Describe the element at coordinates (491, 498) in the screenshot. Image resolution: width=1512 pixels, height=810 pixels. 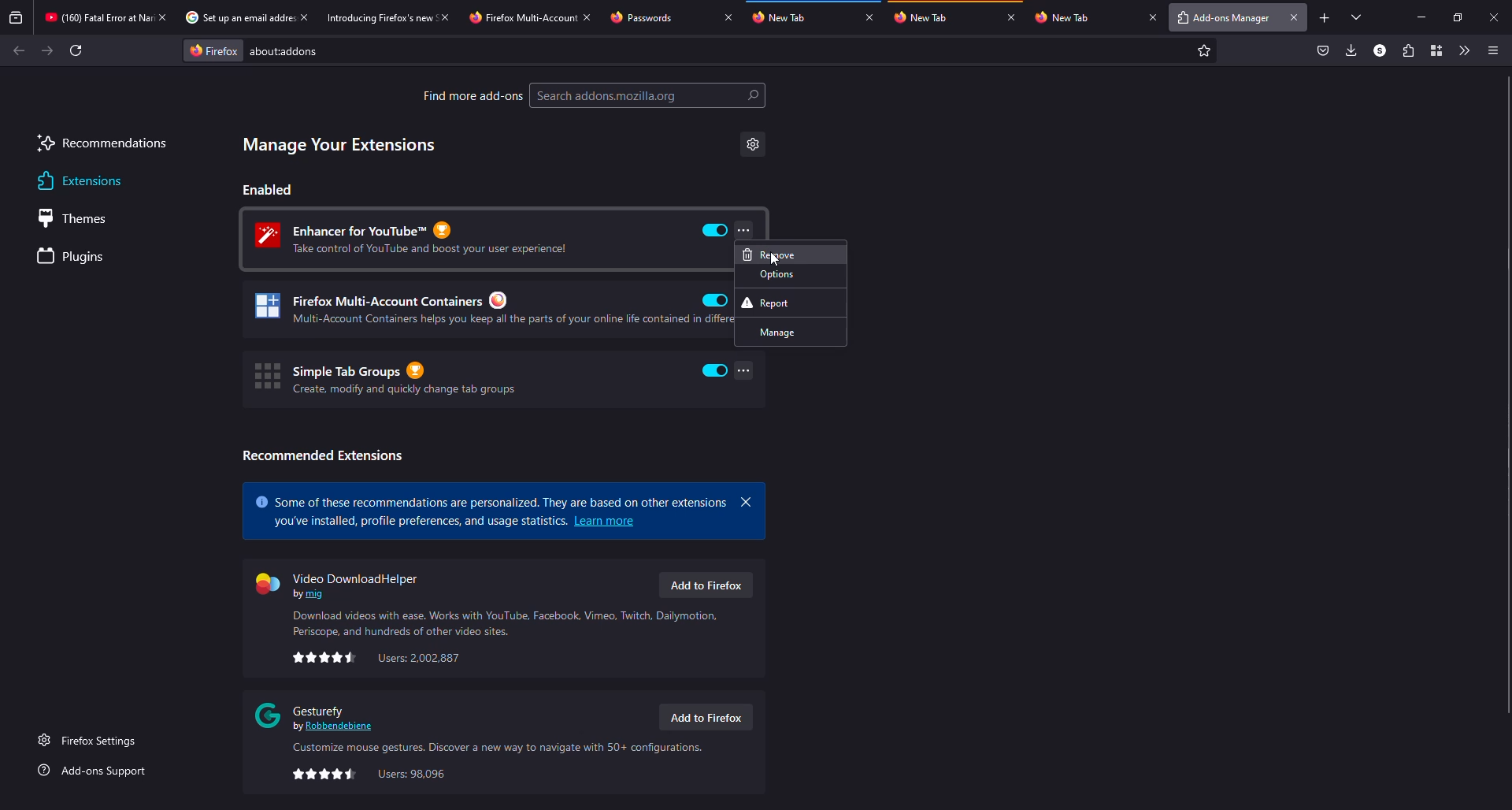
I see `learn more` at that location.